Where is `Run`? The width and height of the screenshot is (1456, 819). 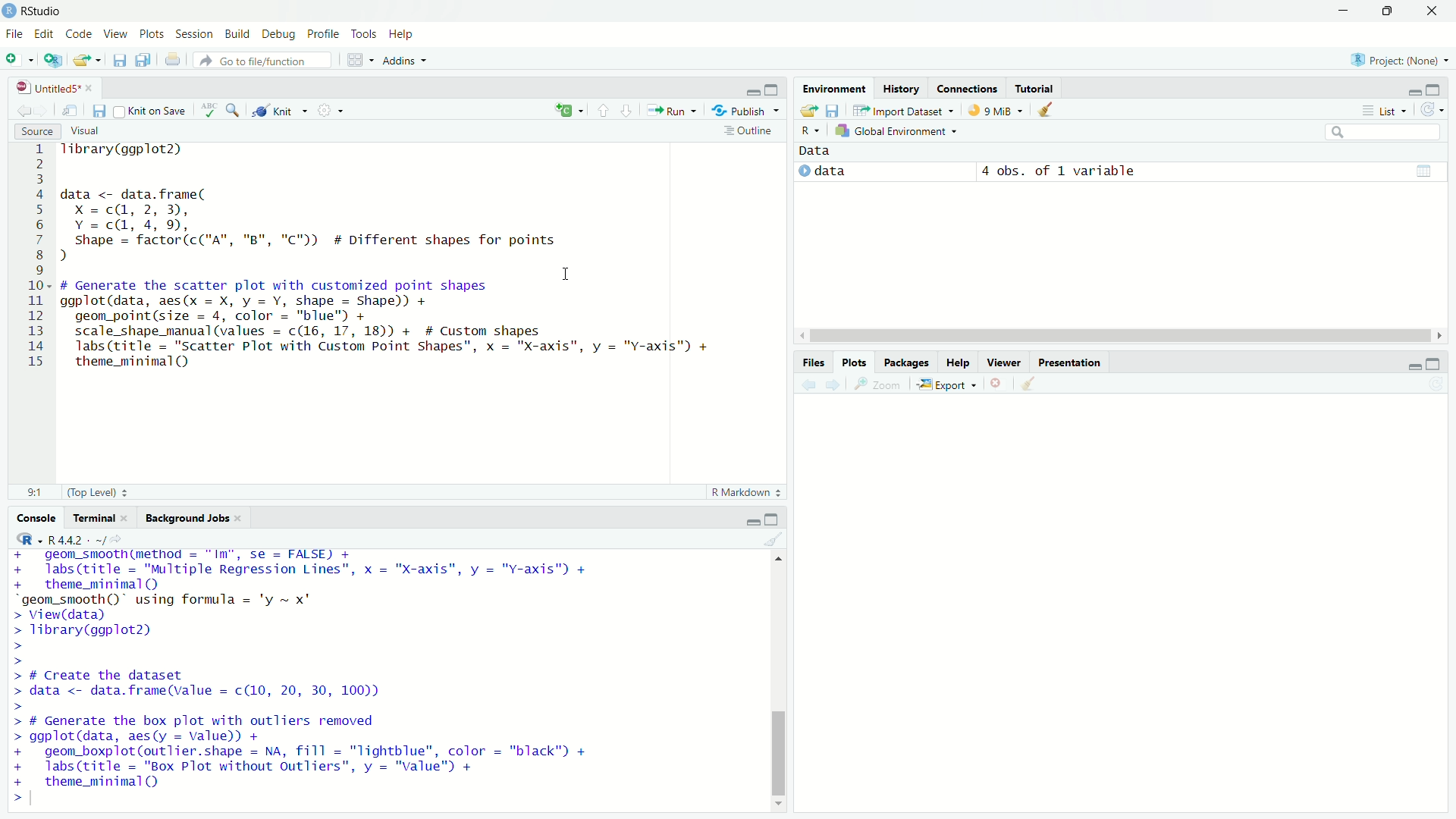
Run is located at coordinates (672, 111).